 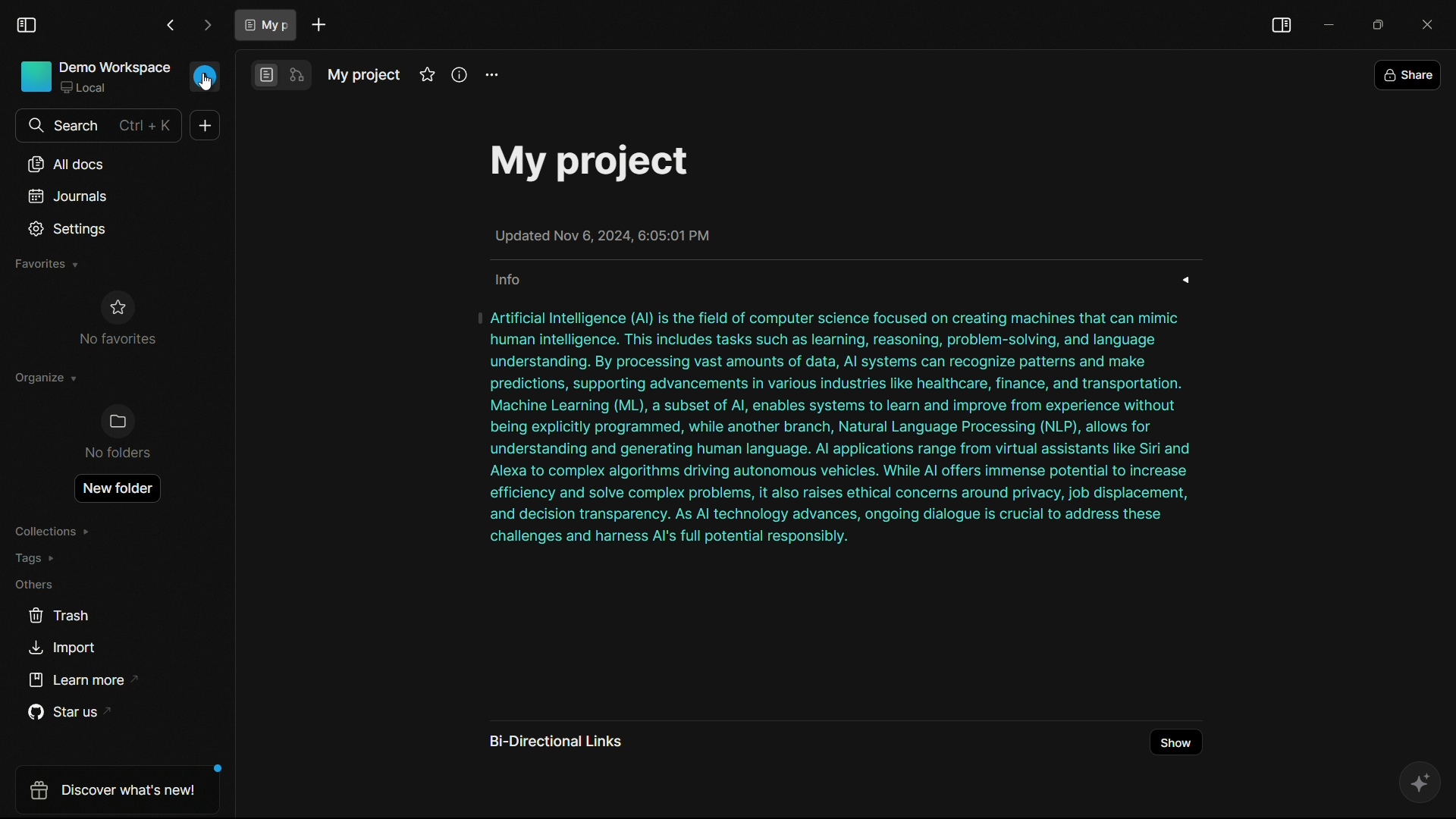 I want to click on bi directional links, so click(x=554, y=739).